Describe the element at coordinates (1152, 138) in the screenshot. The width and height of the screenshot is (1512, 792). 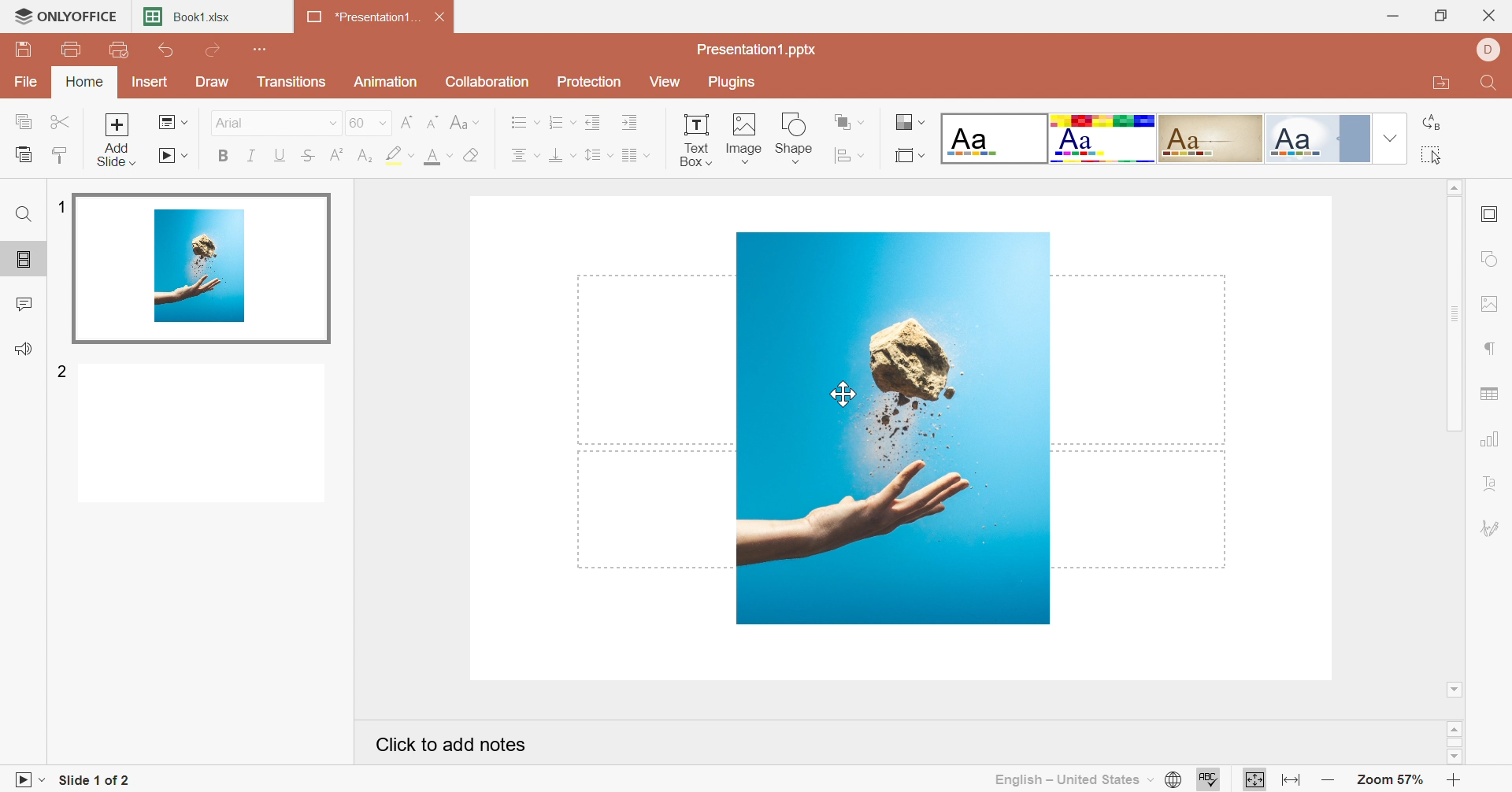
I see `Type of slides` at that location.